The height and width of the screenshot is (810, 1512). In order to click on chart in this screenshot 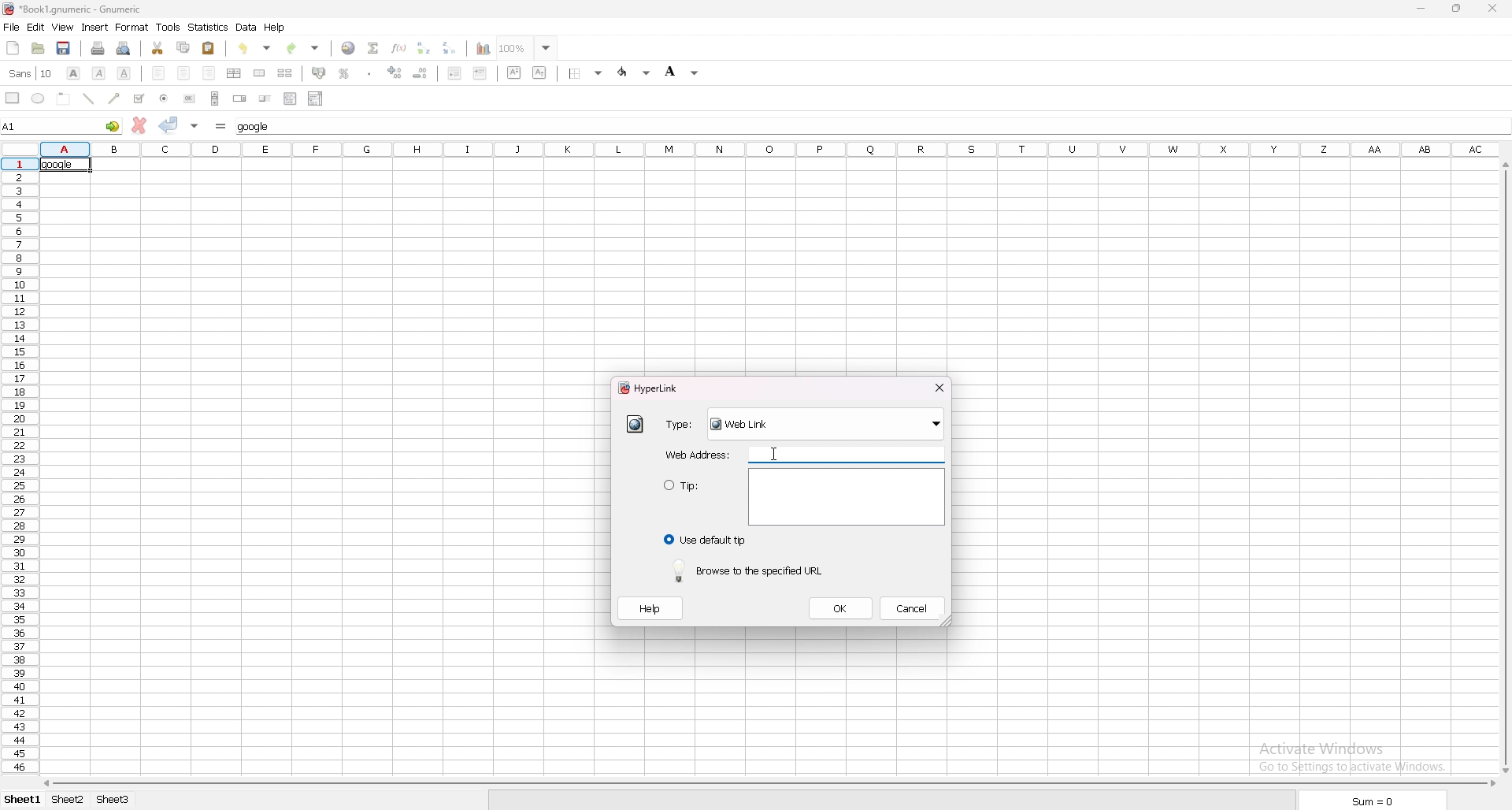, I will do `click(484, 50)`.